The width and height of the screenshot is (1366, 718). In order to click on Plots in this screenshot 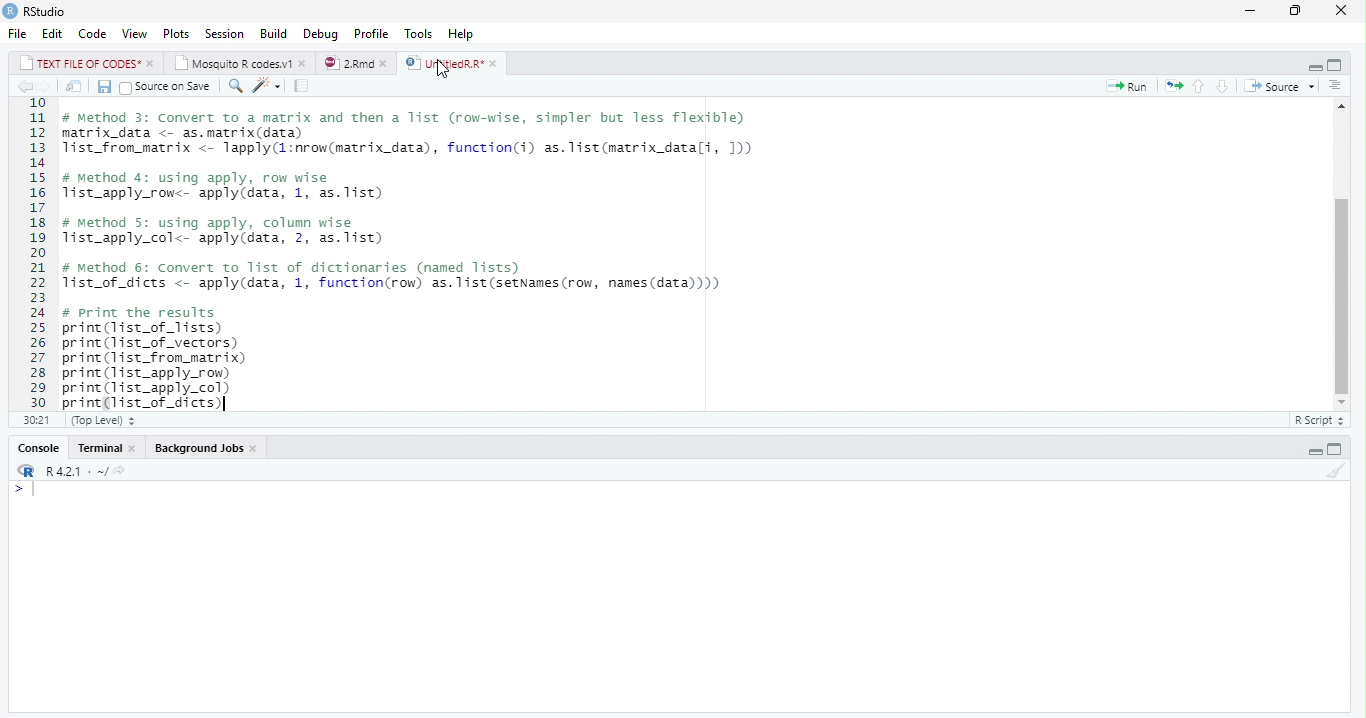, I will do `click(176, 32)`.